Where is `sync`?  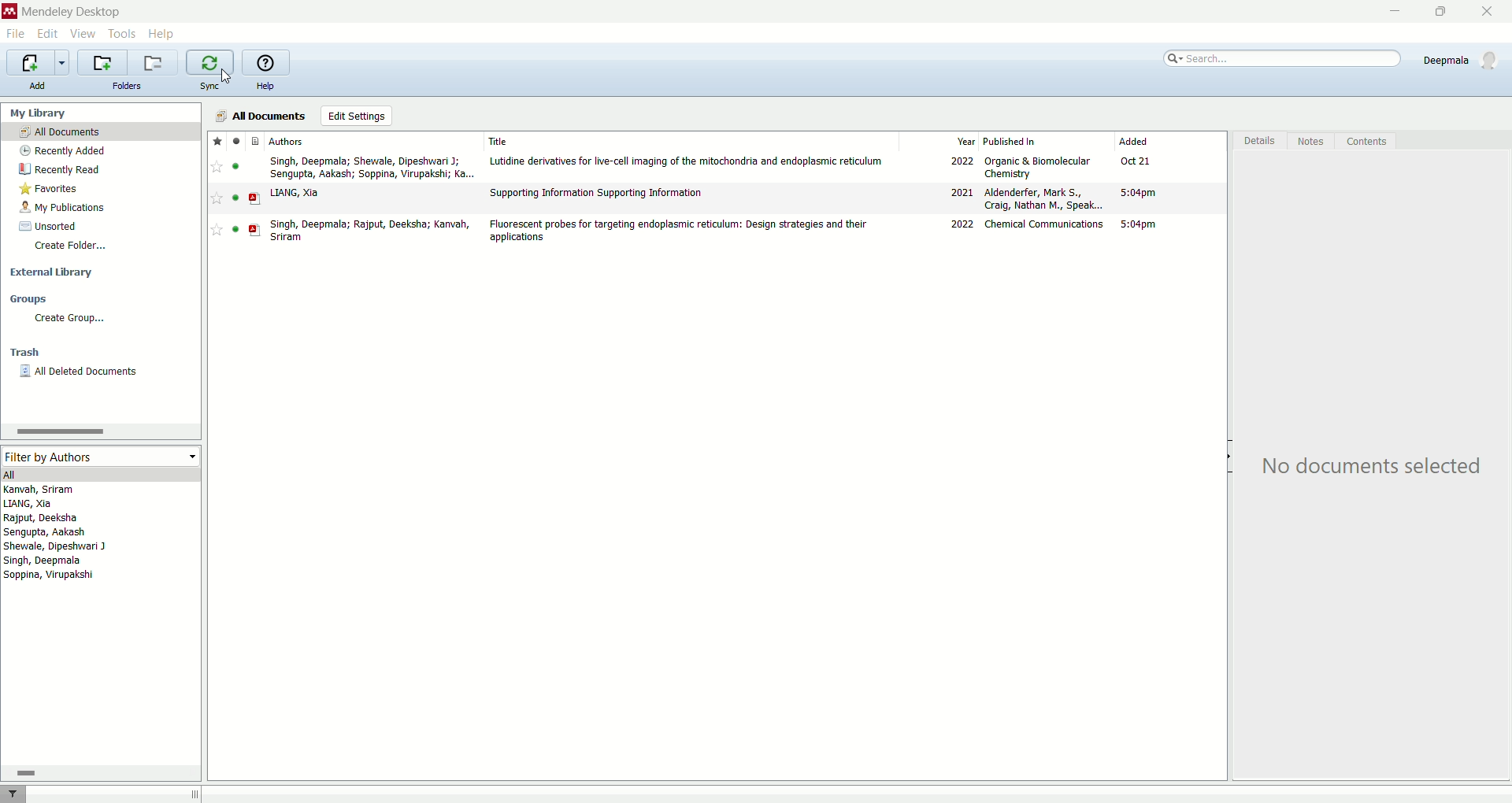 sync is located at coordinates (210, 86).